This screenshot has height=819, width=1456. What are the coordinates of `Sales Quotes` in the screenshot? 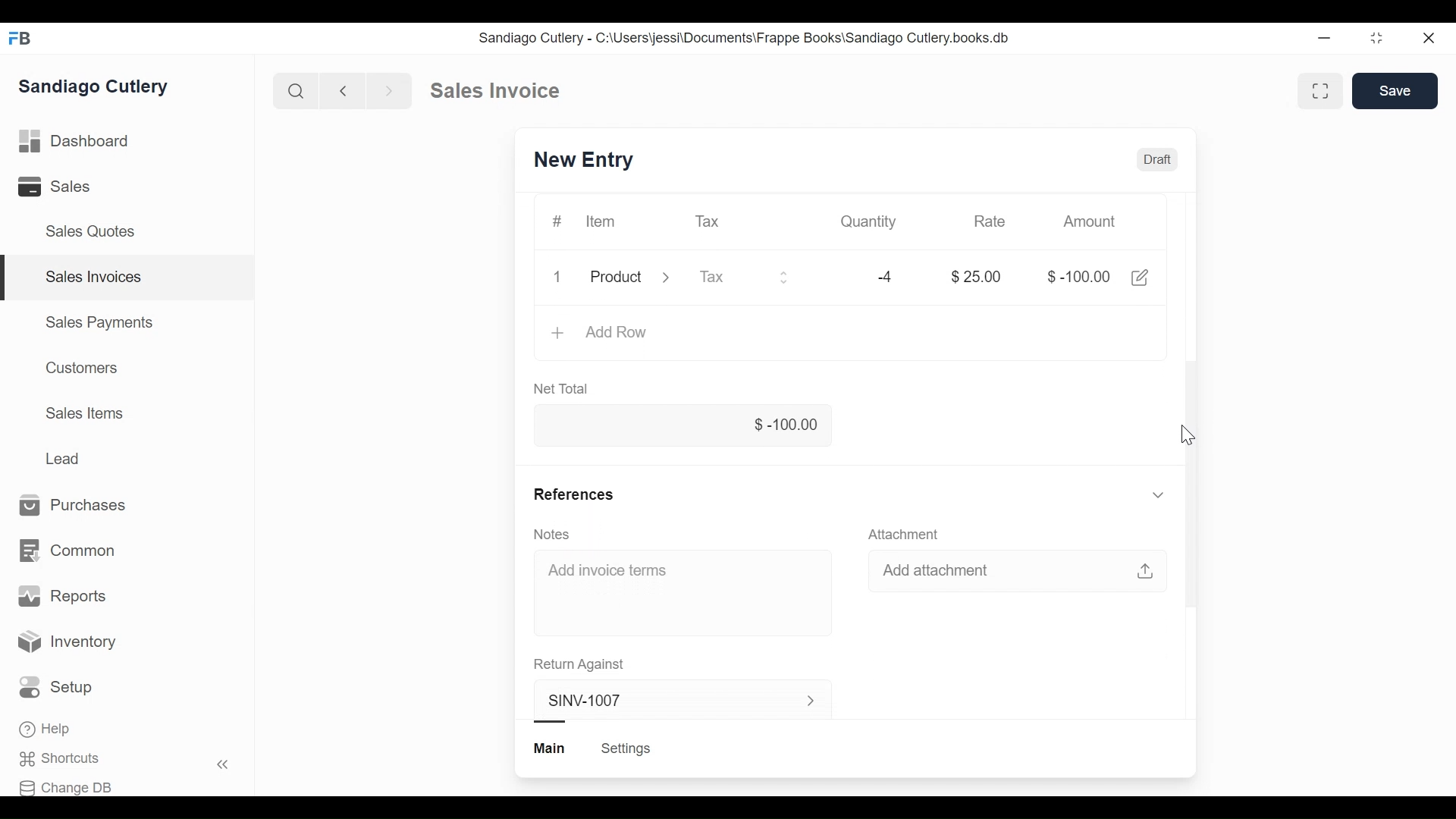 It's located at (93, 231).